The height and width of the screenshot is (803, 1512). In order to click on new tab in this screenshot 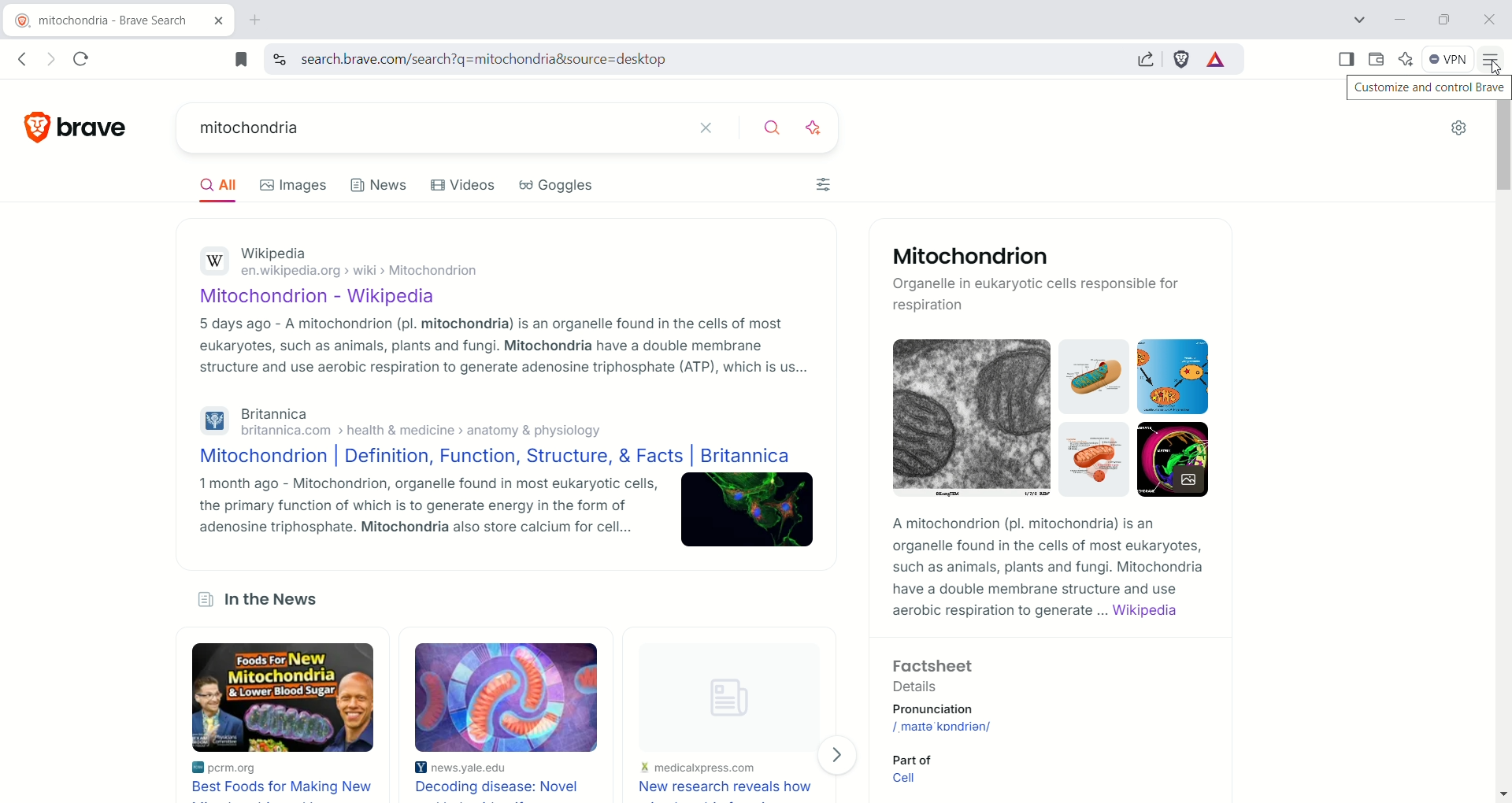, I will do `click(264, 20)`.